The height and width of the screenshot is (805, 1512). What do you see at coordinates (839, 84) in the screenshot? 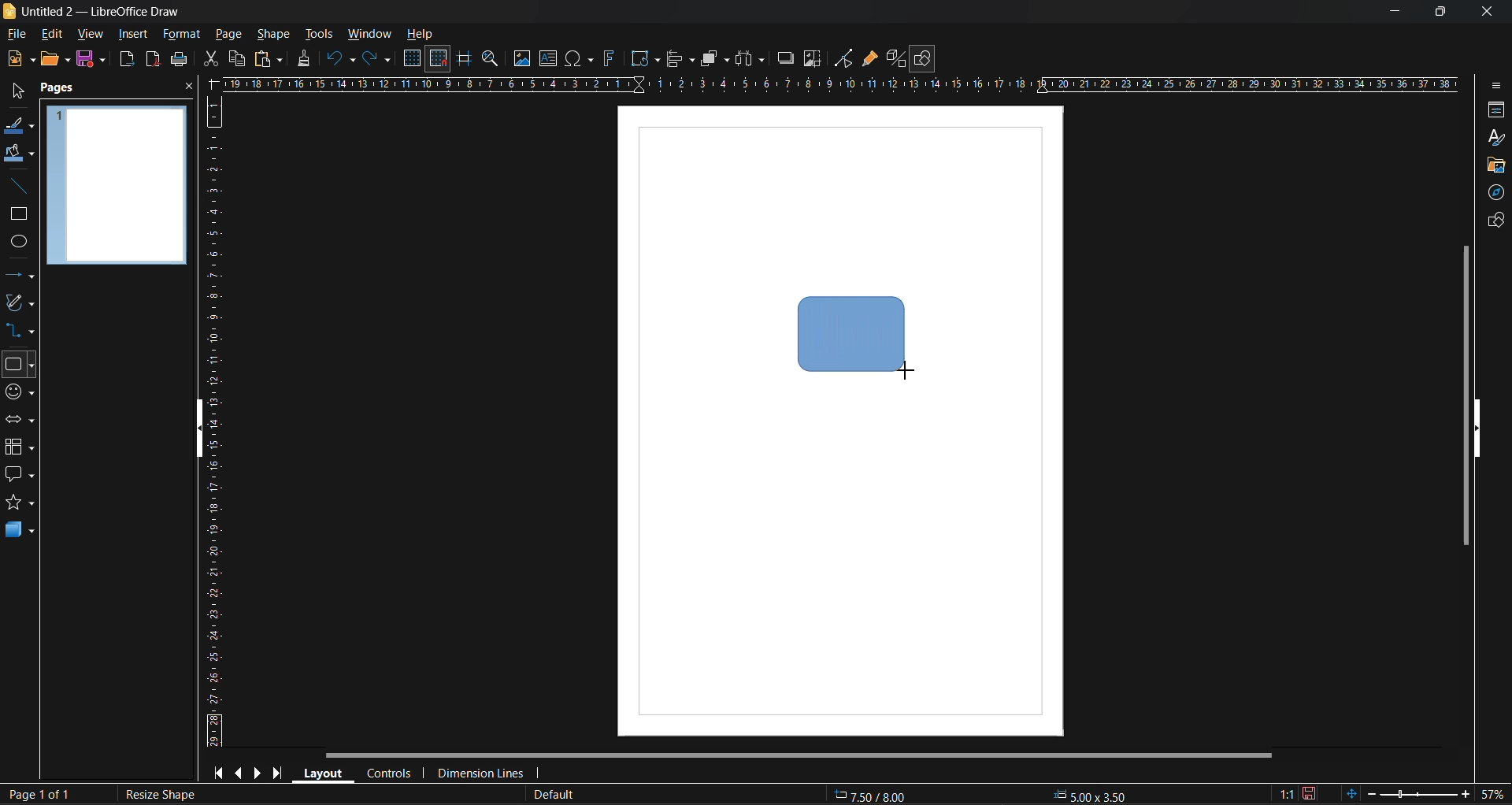
I see `horizontal scale` at bounding box center [839, 84].